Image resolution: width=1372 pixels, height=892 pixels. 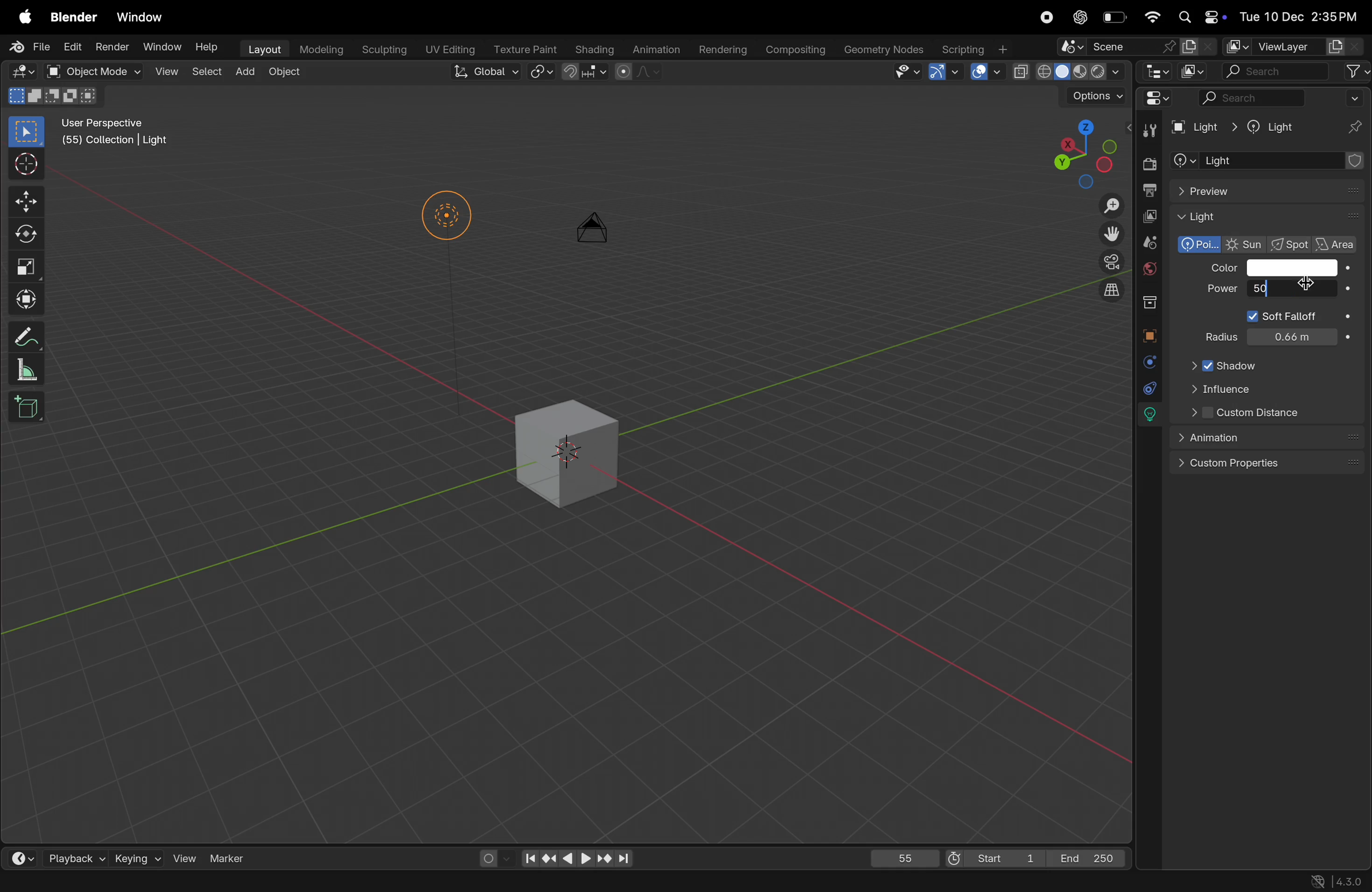 What do you see at coordinates (1246, 245) in the screenshot?
I see `Sun` at bounding box center [1246, 245].